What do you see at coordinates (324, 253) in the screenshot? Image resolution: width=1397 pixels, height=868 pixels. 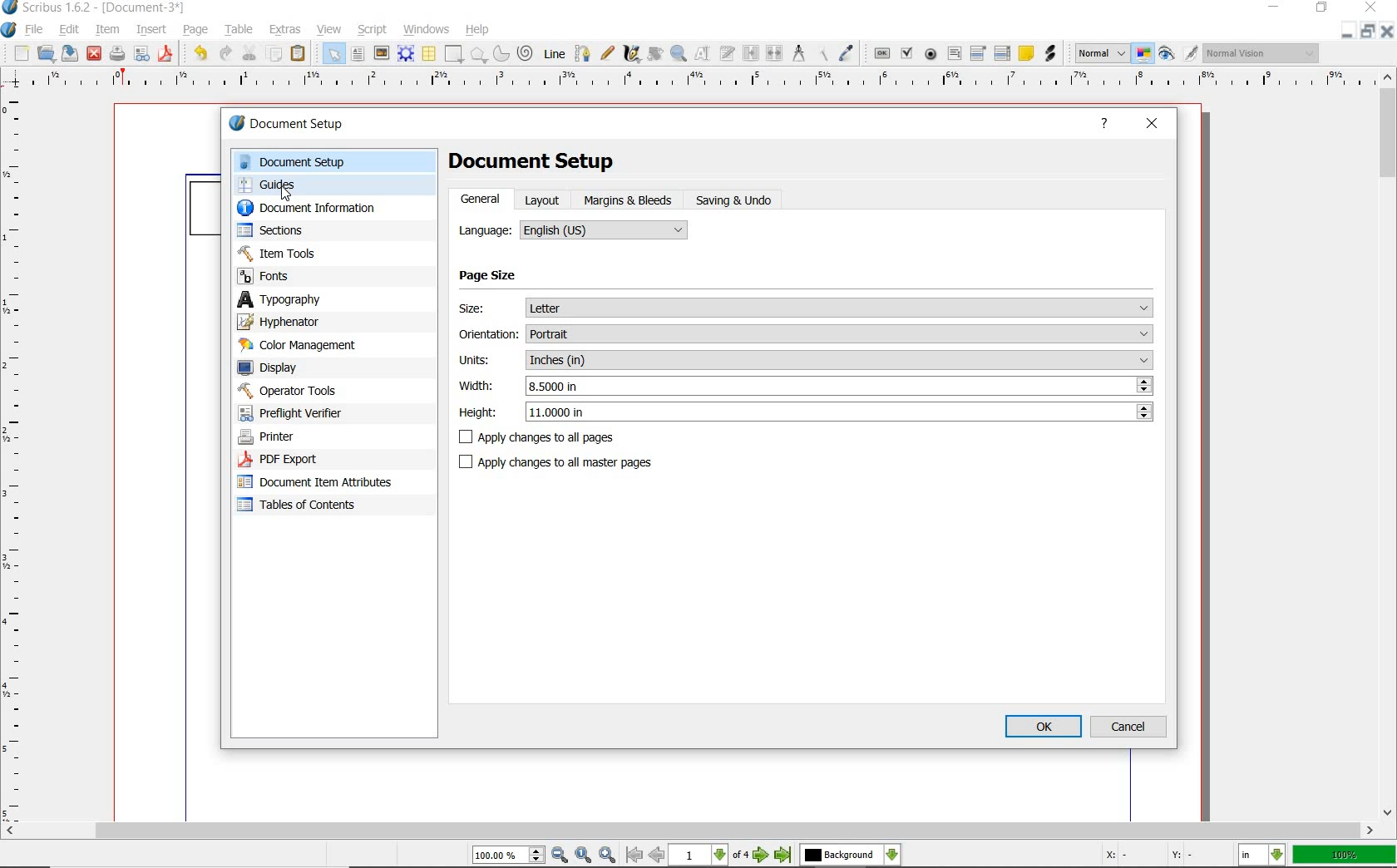 I see `item tools` at bounding box center [324, 253].